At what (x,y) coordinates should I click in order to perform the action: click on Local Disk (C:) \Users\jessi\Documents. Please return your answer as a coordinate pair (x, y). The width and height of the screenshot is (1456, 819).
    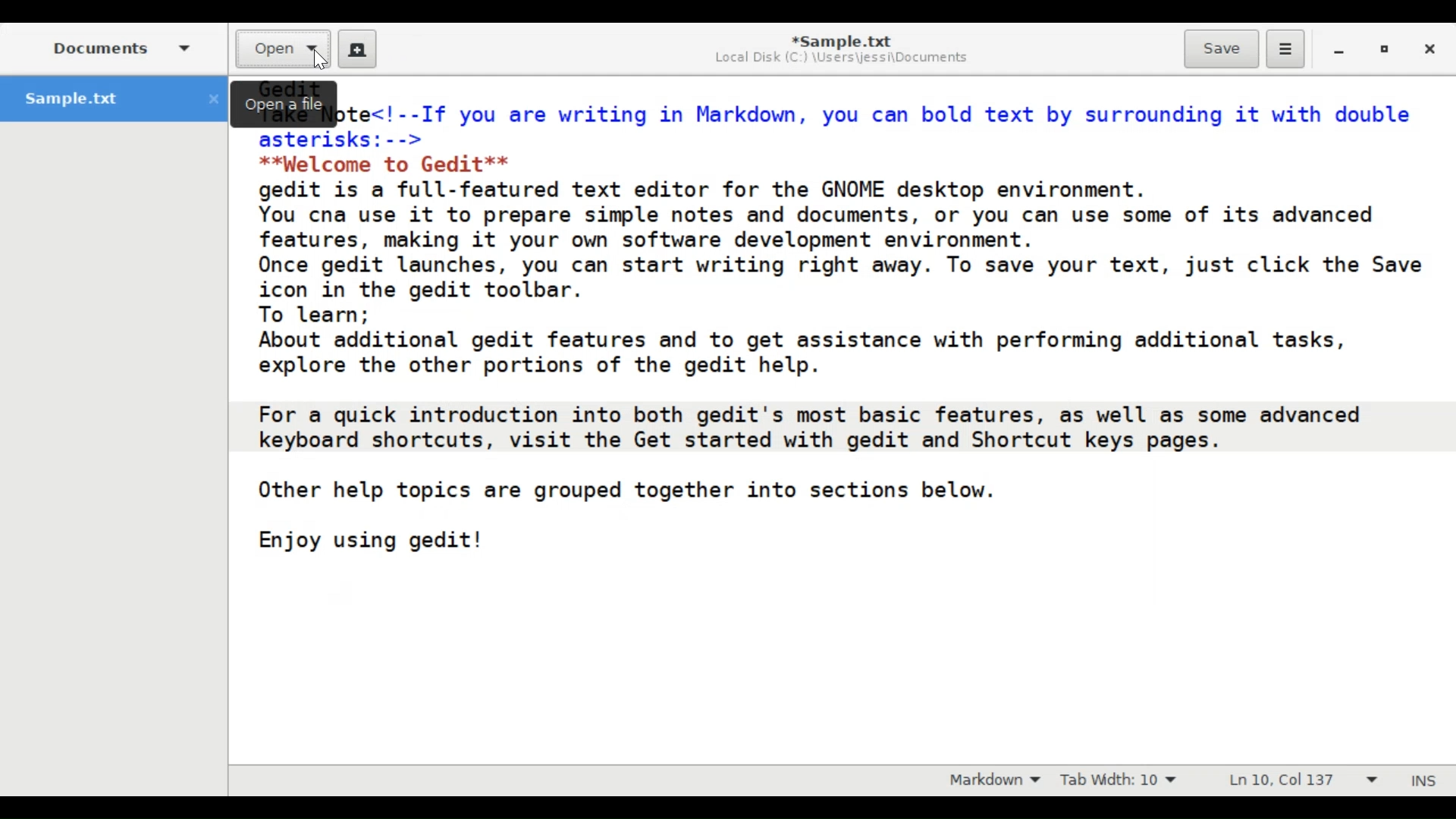
    Looking at the image, I should click on (841, 60).